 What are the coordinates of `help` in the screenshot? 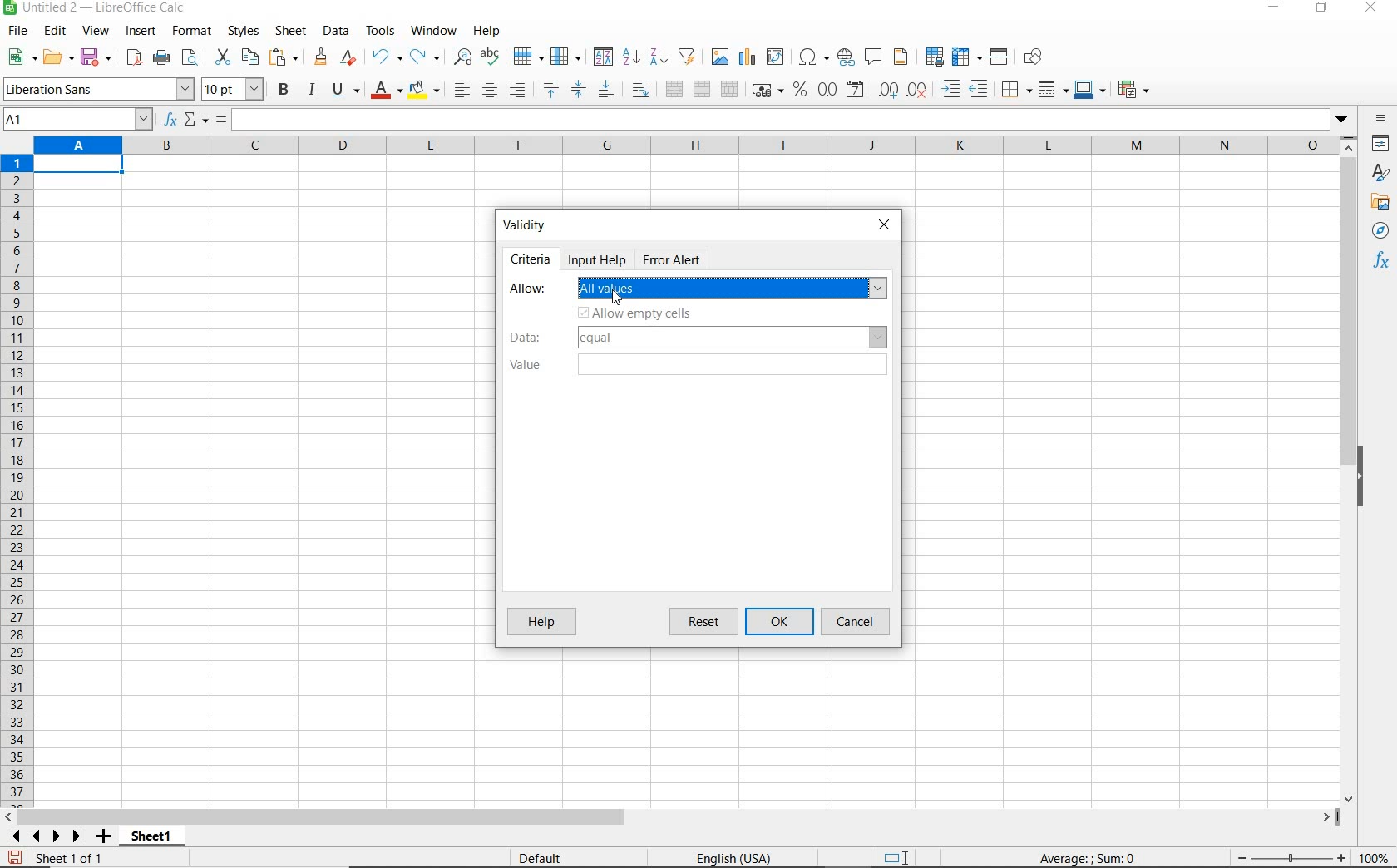 It's located at (486, 31).